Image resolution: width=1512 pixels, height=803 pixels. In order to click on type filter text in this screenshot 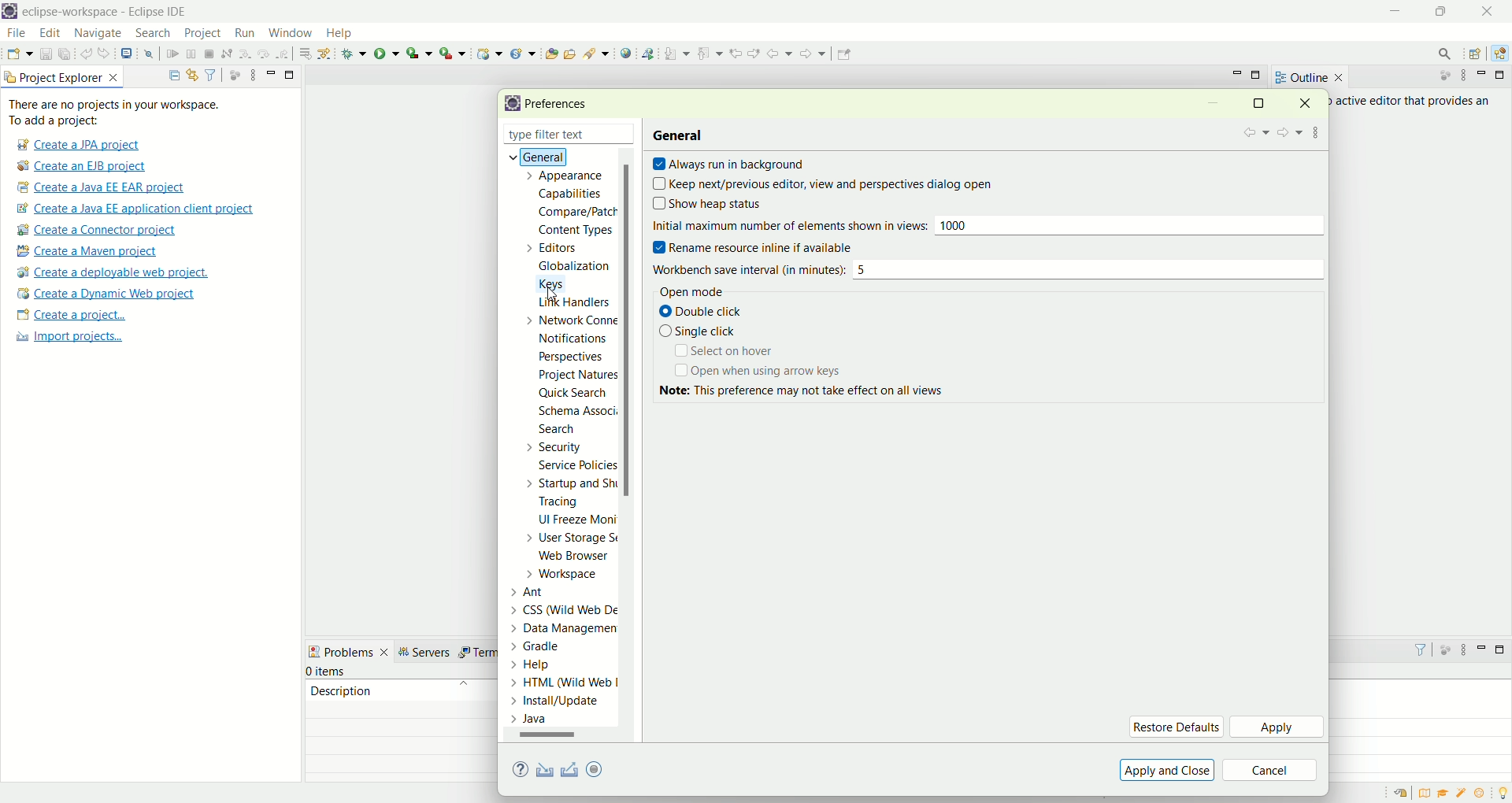, I will do `click(550, 136)`.